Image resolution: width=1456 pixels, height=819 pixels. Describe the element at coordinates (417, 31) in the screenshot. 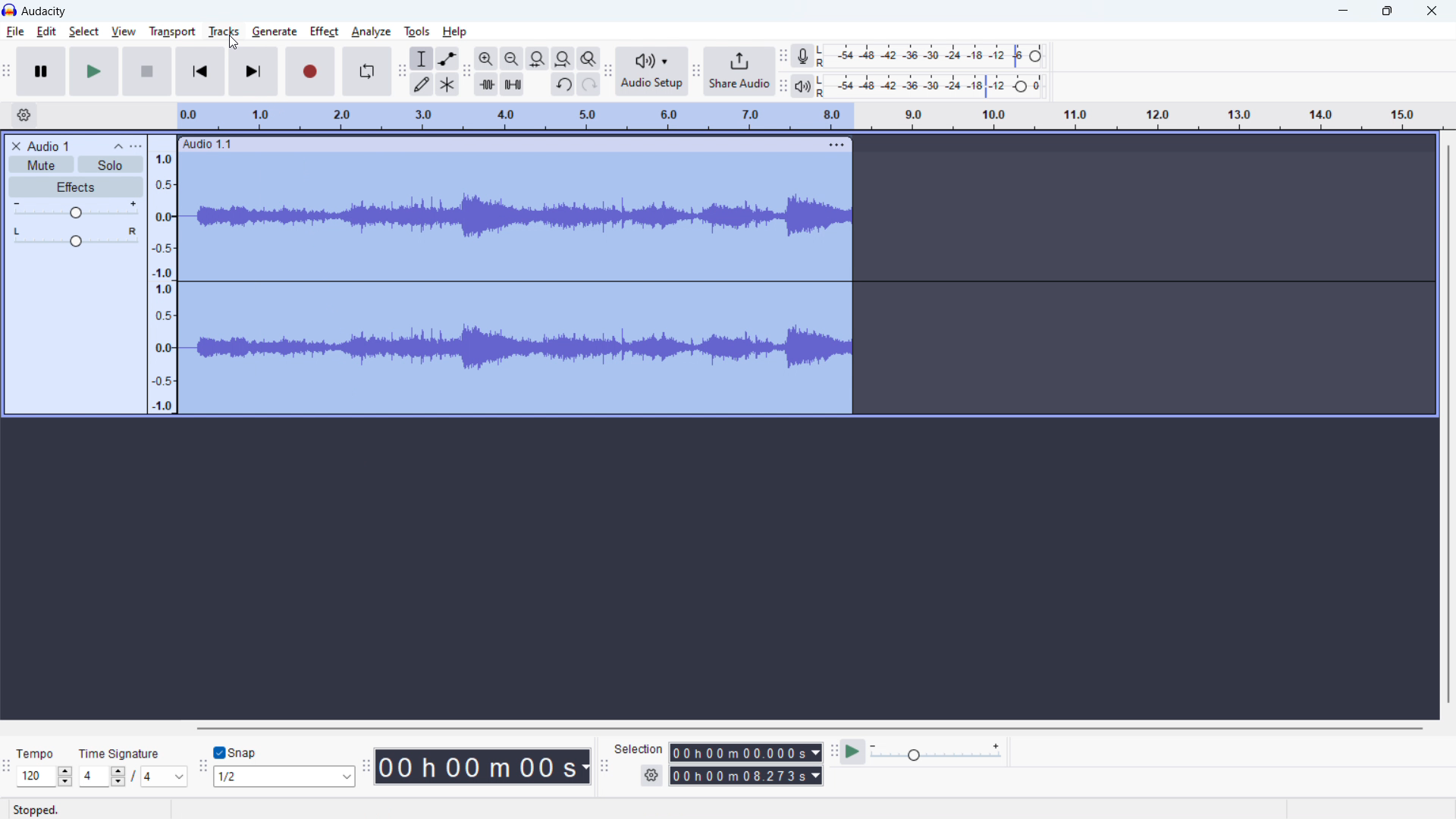

I see `tools` at that location.